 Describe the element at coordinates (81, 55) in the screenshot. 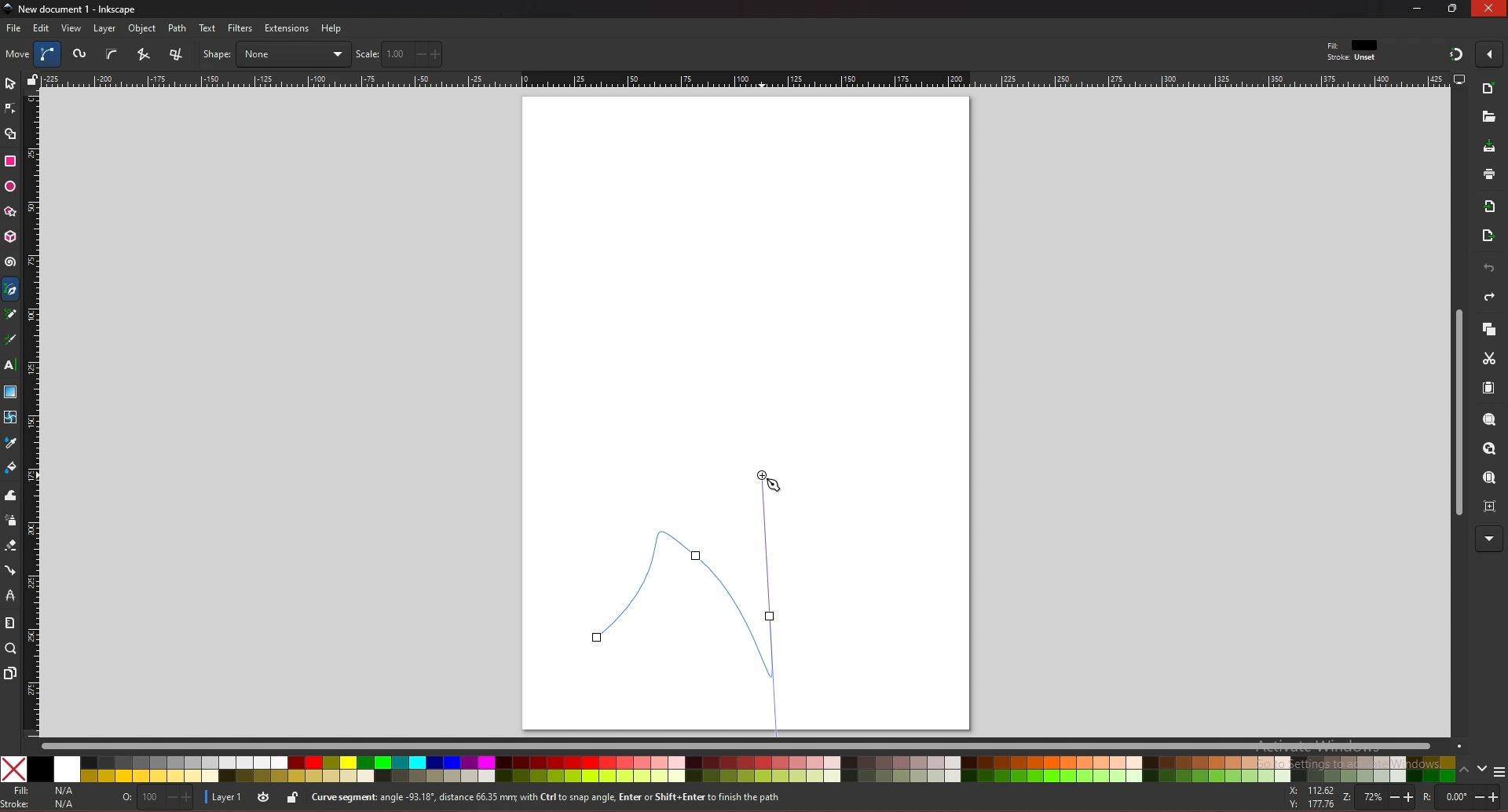

I see `spiro path` at that location.